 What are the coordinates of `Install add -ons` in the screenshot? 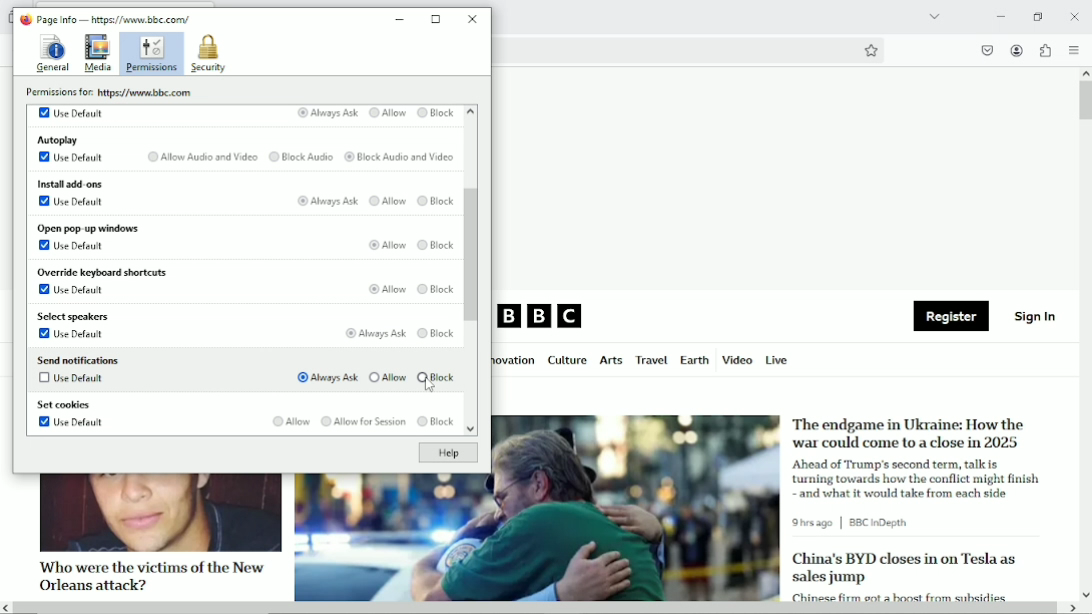 It's located at (69, 182).